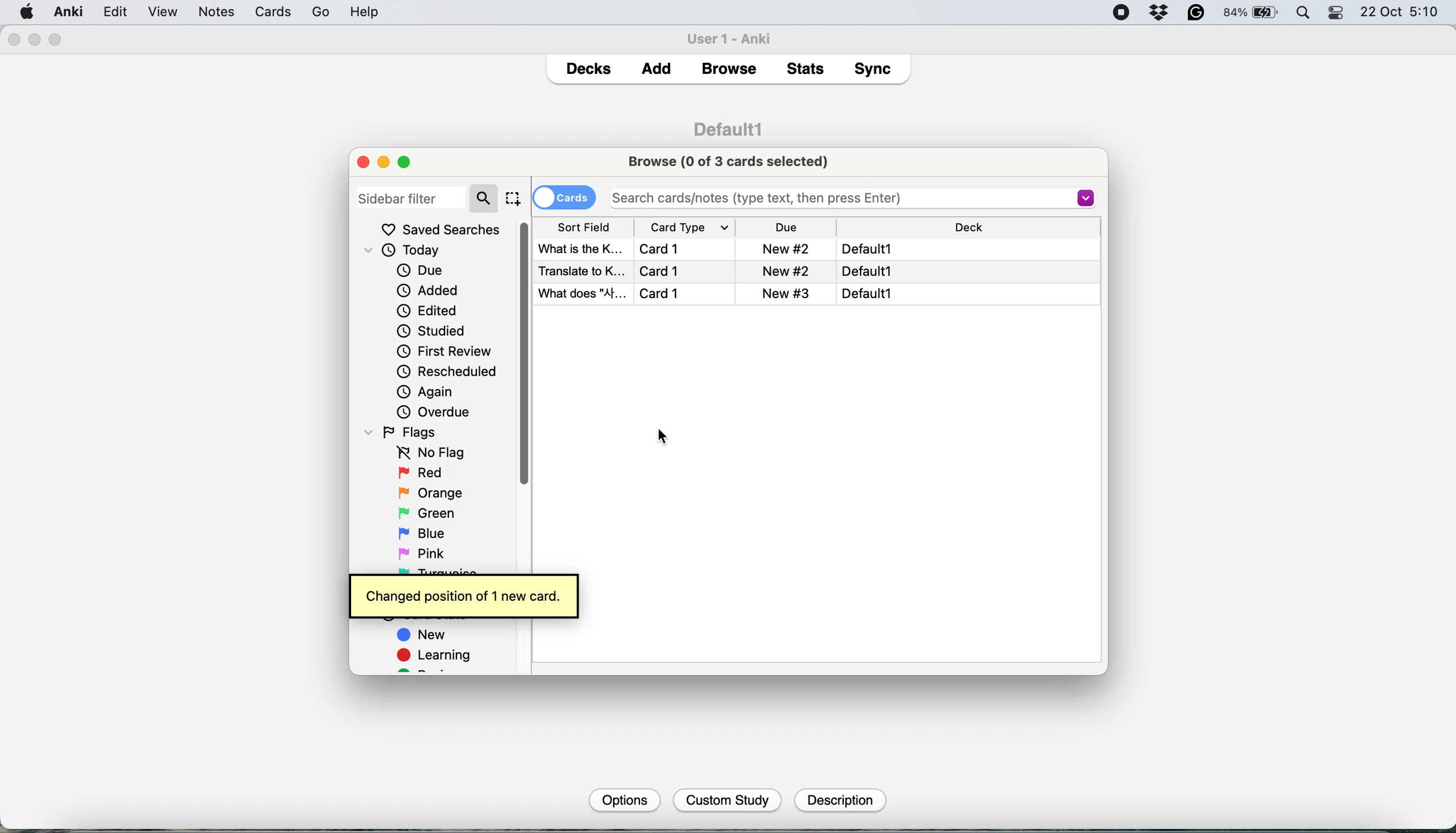 Image resolution: width=1456 pixels, height=833 pixels. I want to click on Default 1, so click(728, 128).